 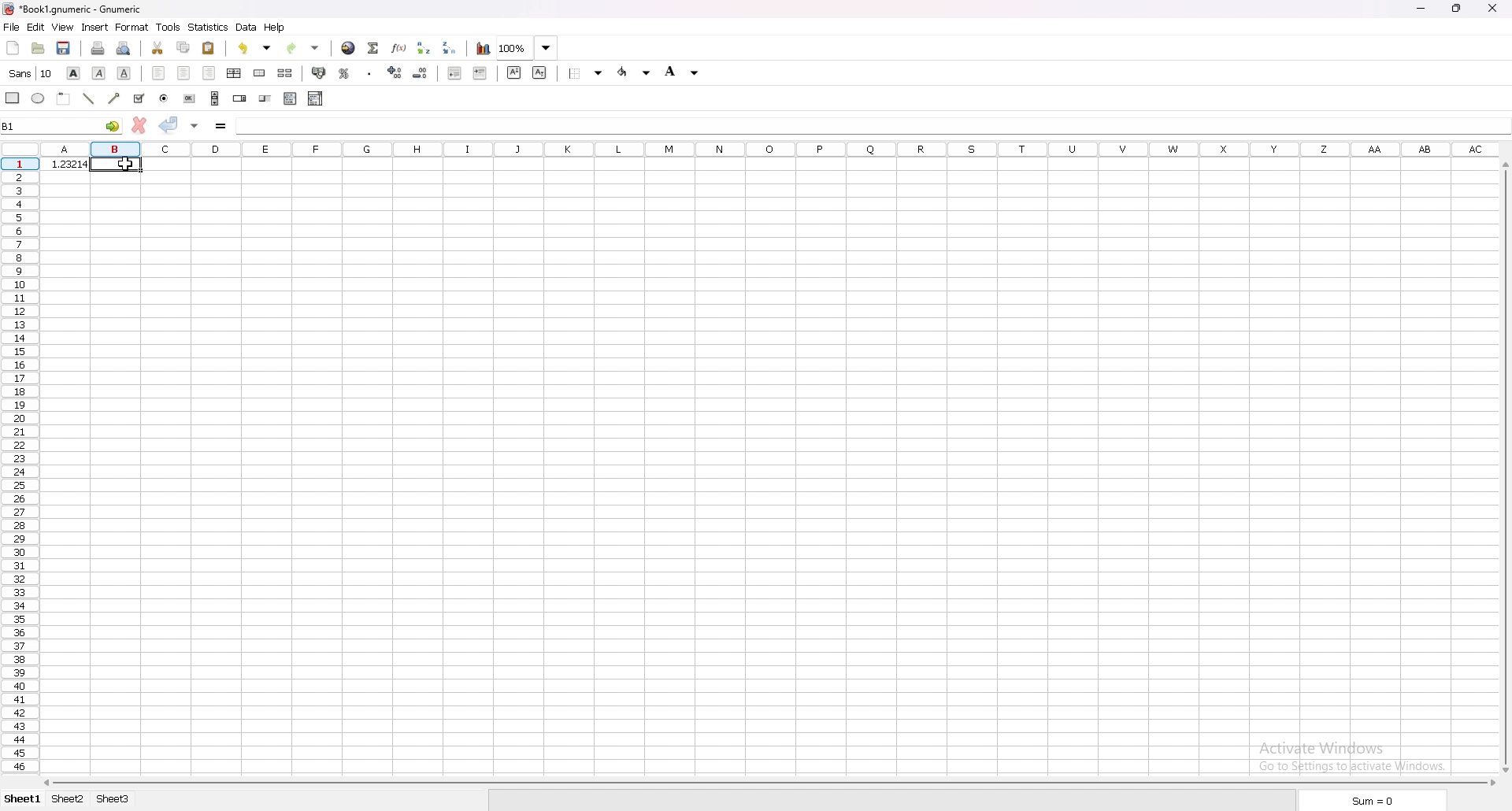 I want to click on scroll bar, so click(x=769, y=783).